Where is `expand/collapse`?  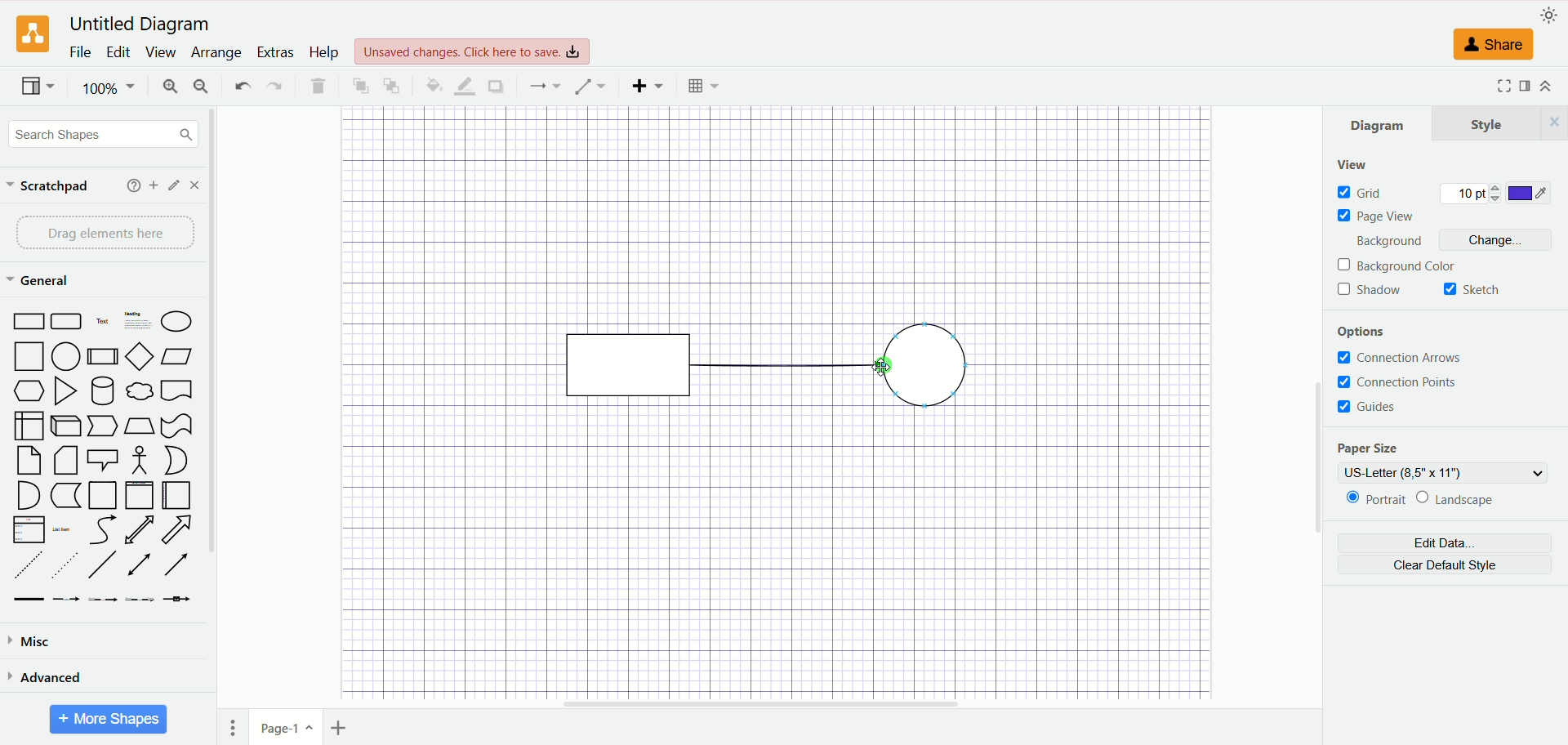
expand/collapse is located at coordinates (1546, 86).